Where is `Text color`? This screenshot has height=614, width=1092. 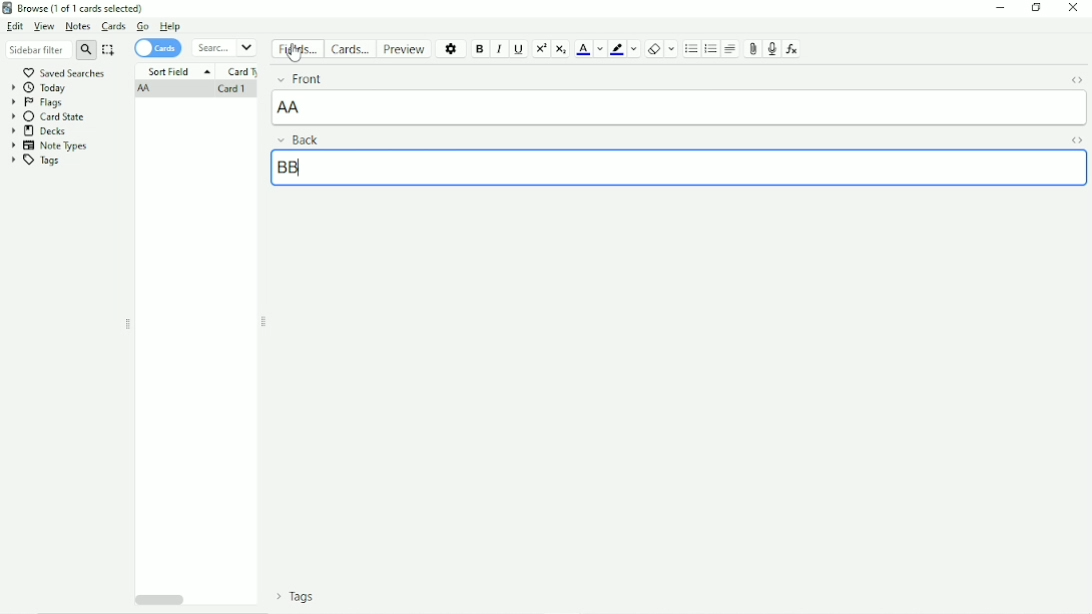
Text color is located at coordinates (583, 48).